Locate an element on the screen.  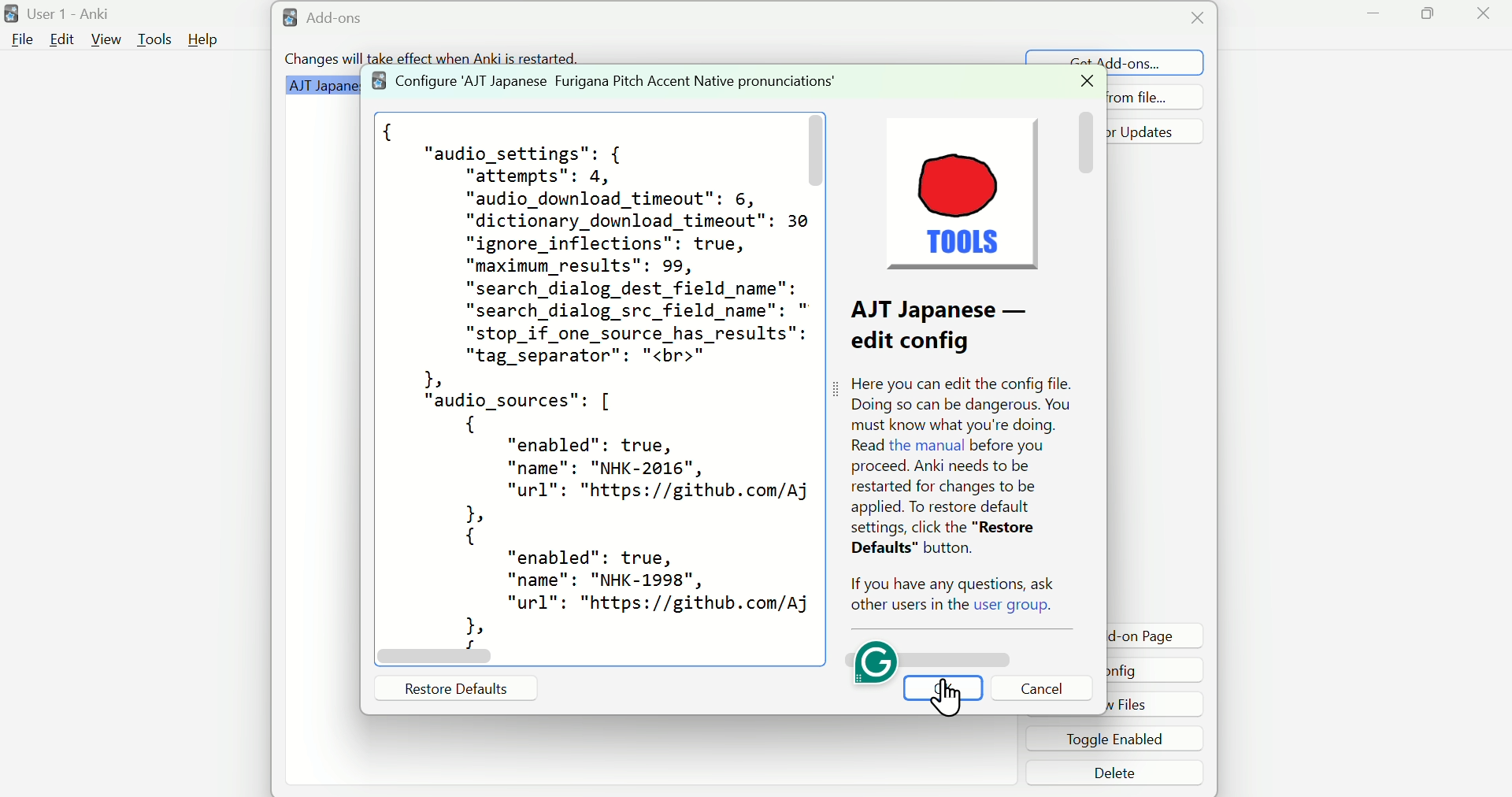
Code is located at coordinates (596, 390).